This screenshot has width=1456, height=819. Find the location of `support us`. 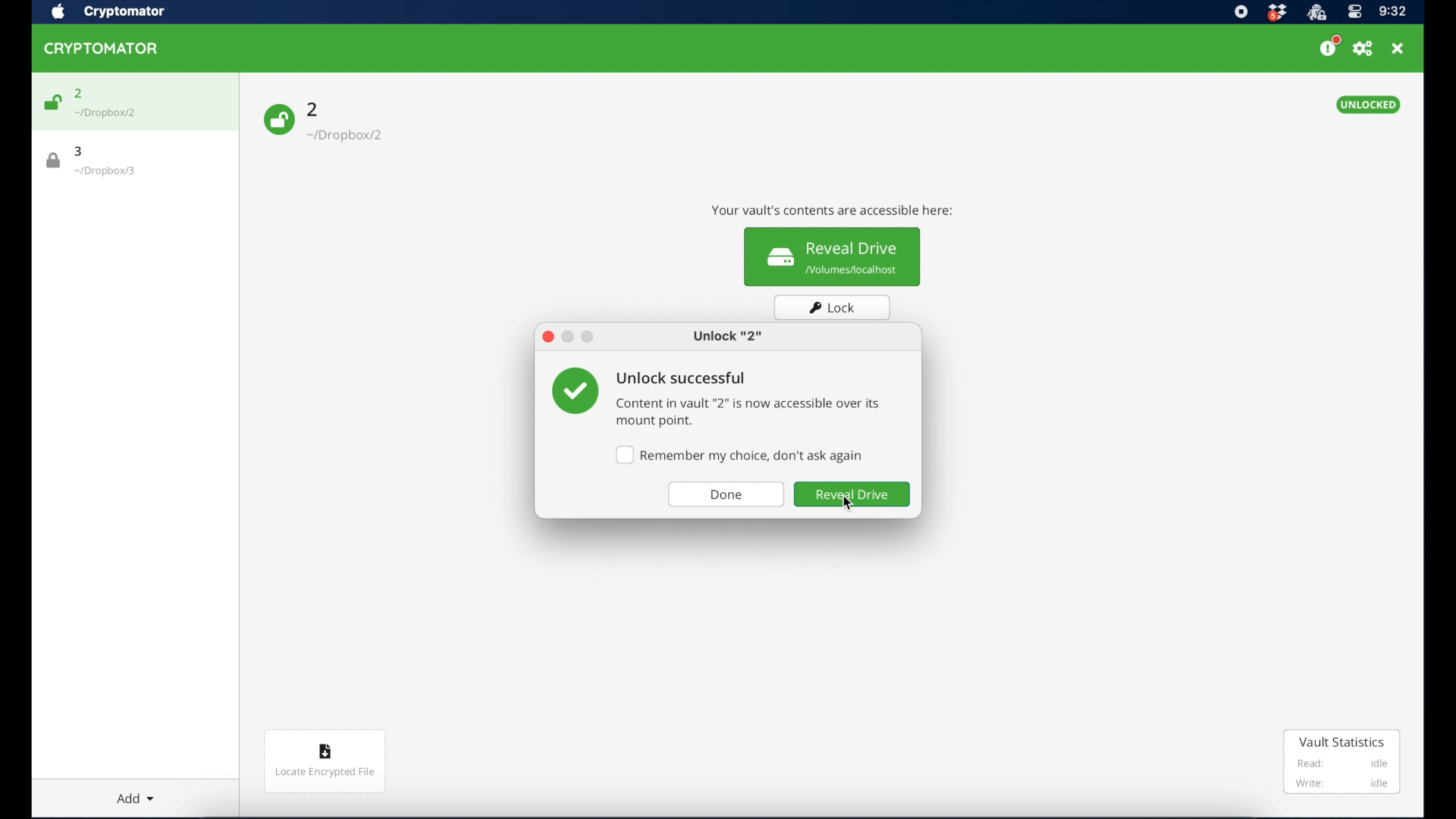

support us is located at coordinates (1330, 47).